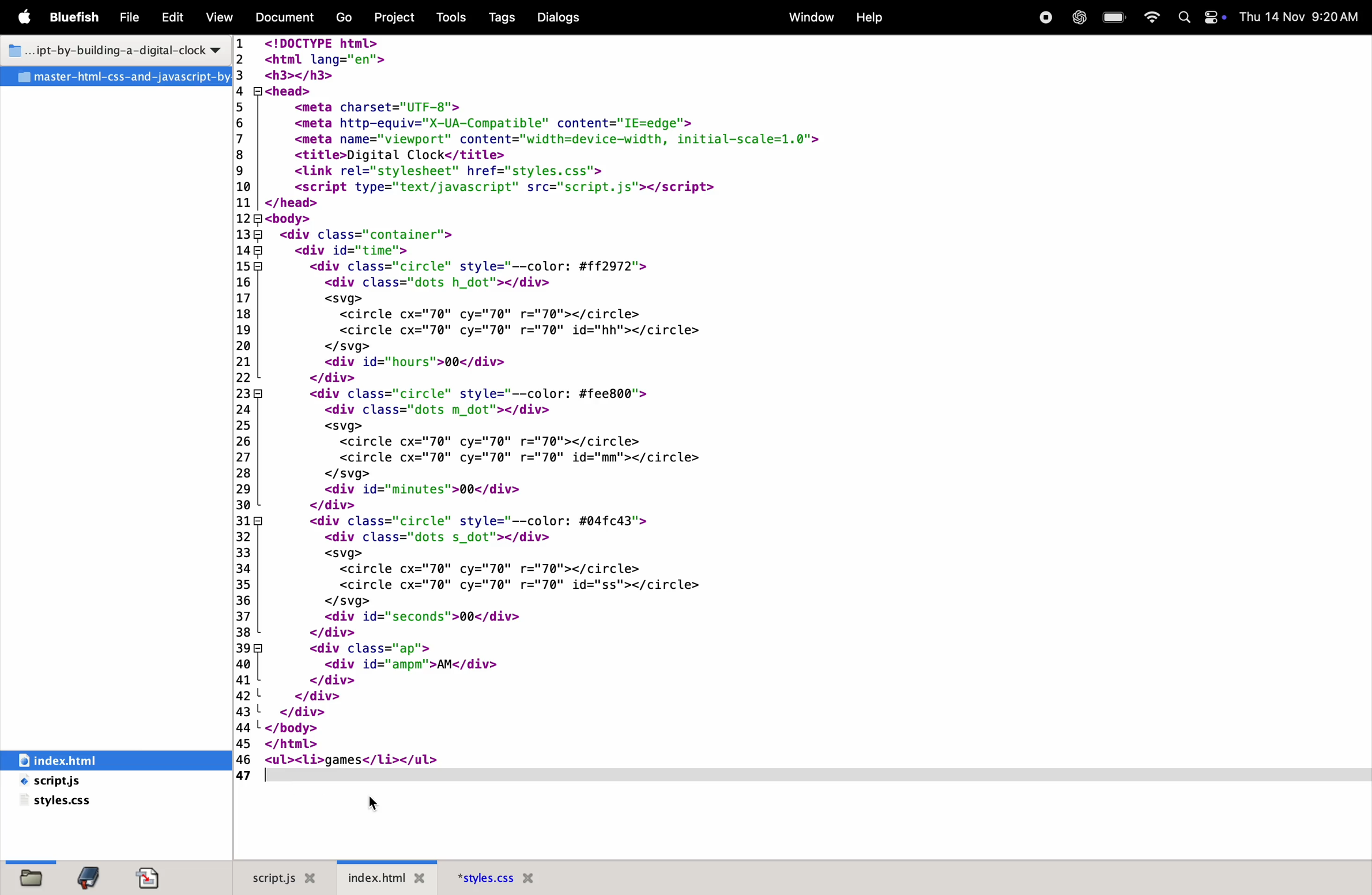 The height and width of the screenshot is (895, 1372). What do you see at coordinates (617, 393) in the screenshot?
I see `code block` at bounding box center [617, 393].